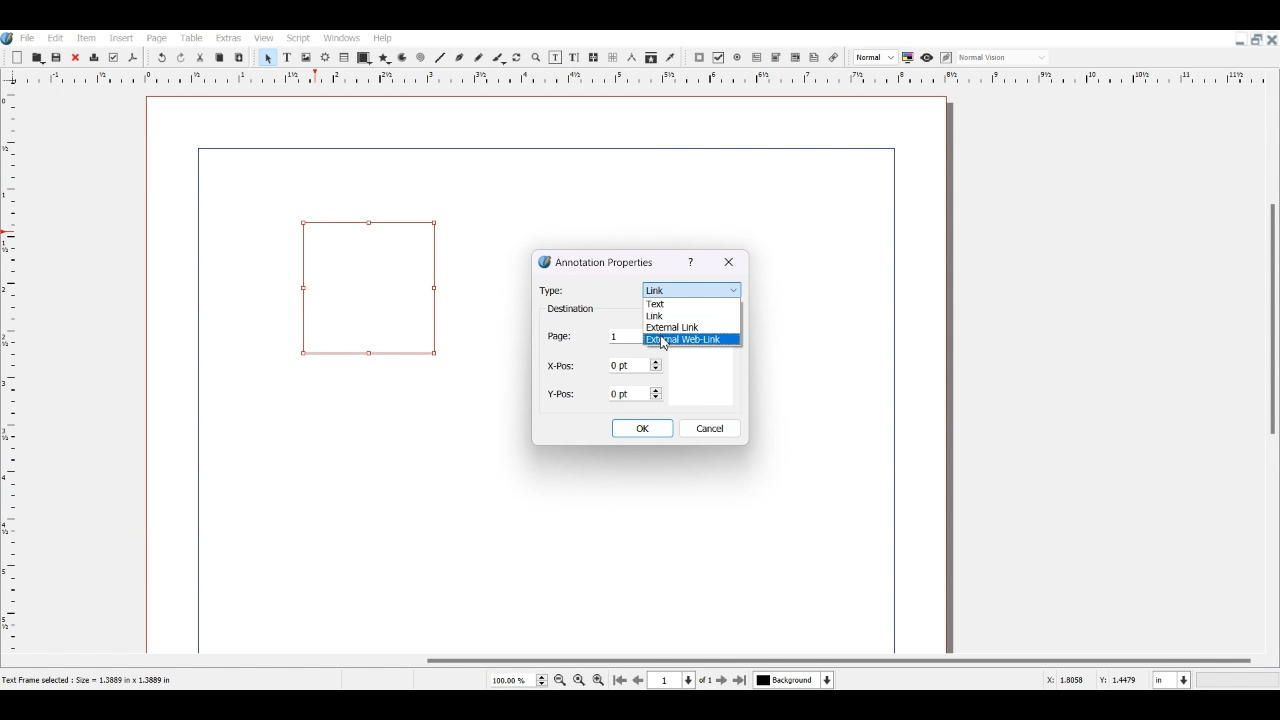 The width and height of the screenshot is (1280, 720). I want to click on Select current Layer, so click(796, 681).